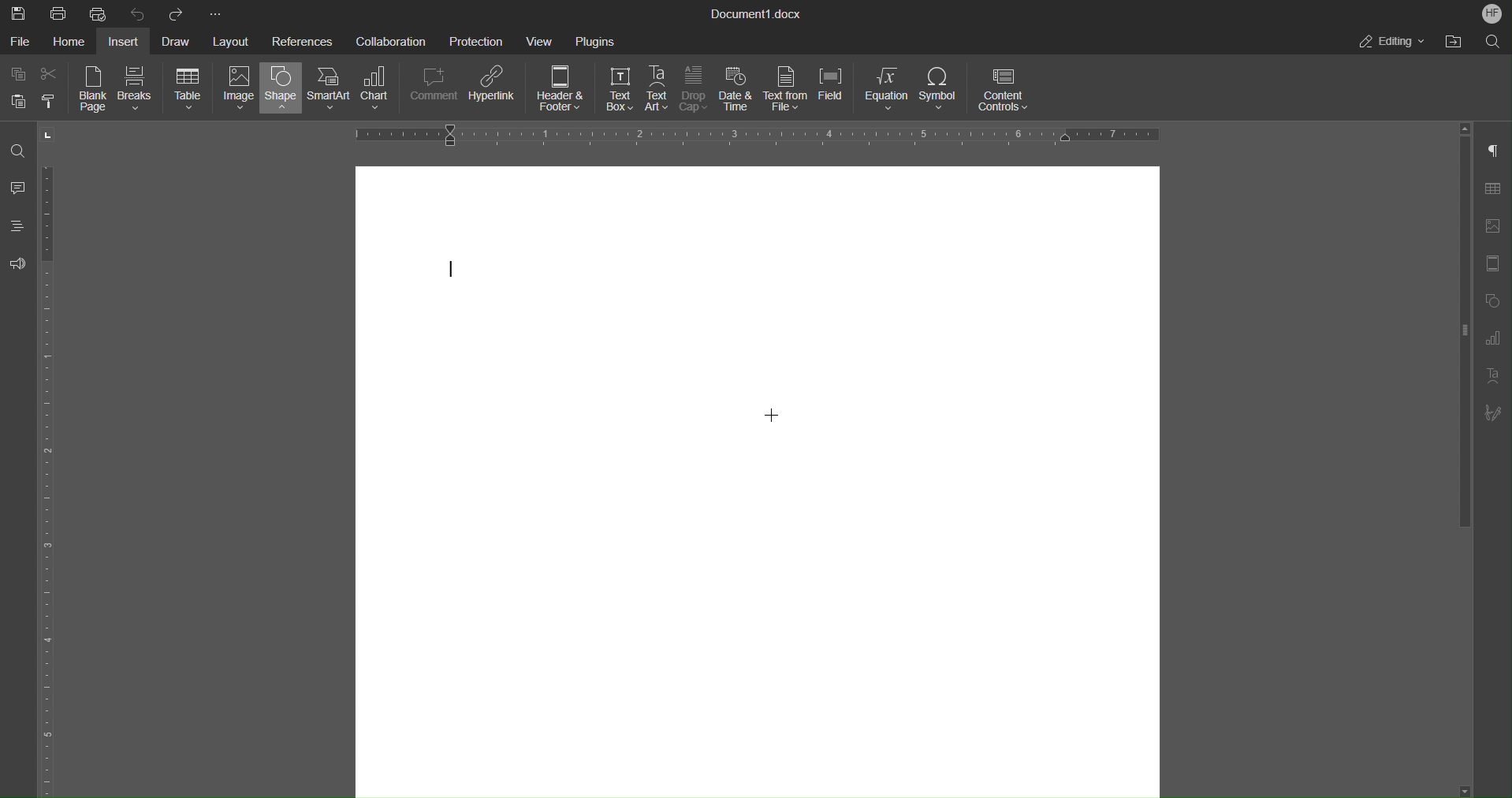  I want to click on Image, so click(236, 91).